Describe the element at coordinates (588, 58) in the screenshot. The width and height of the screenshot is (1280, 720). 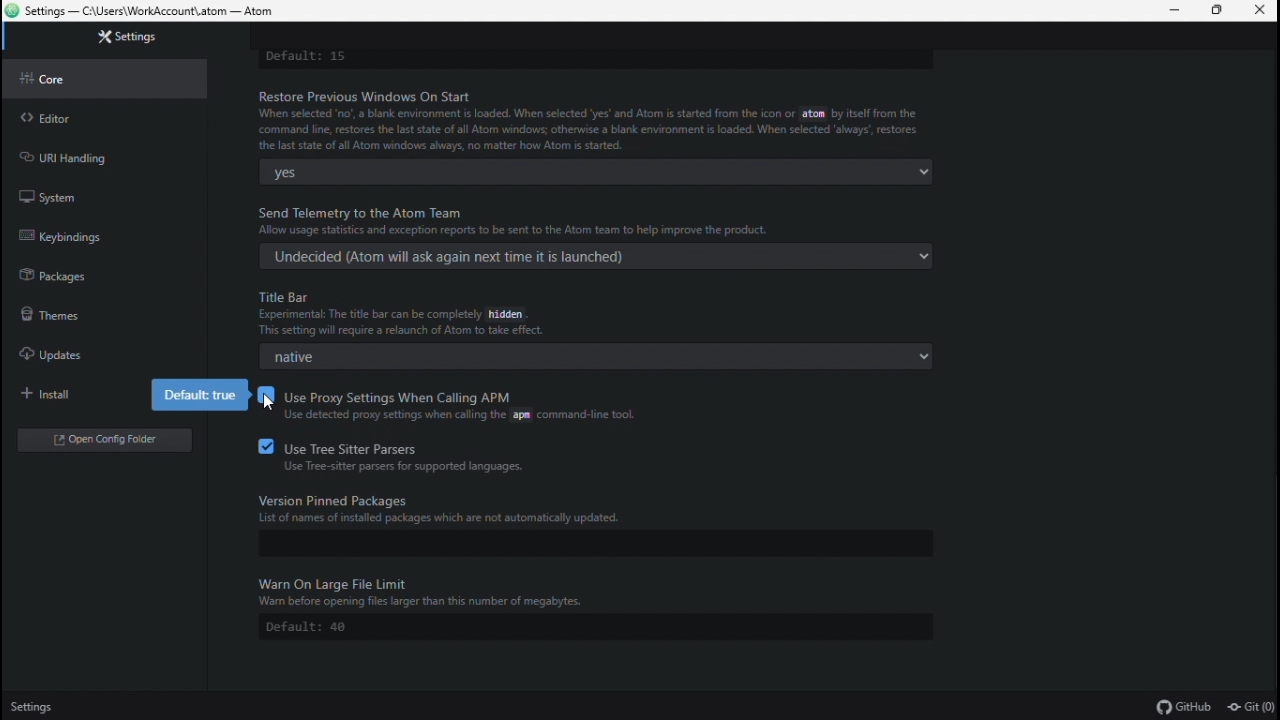
I see `Default: 15` at that location.